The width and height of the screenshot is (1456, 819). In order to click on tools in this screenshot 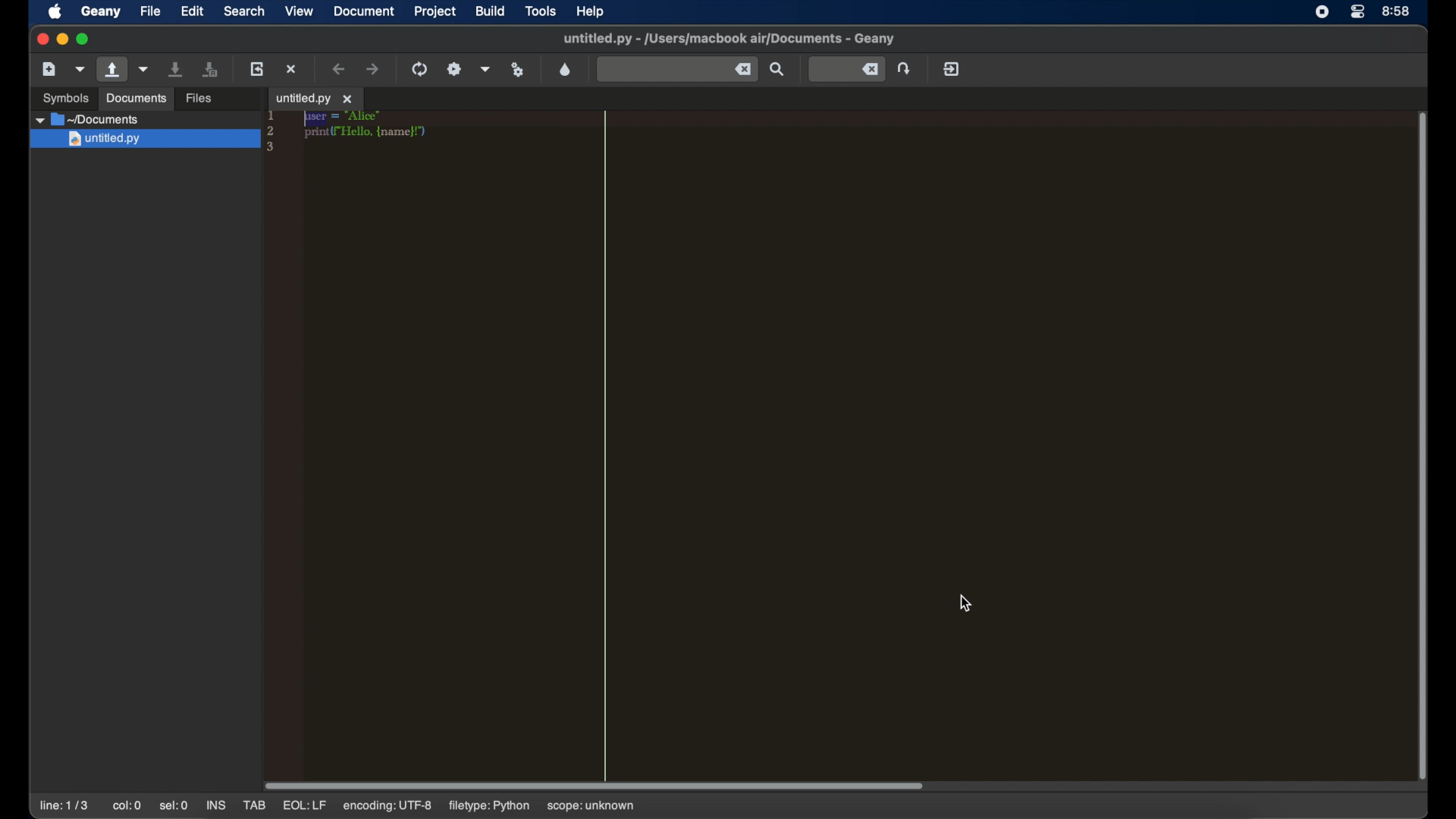, I will do `click(541, 11)`.